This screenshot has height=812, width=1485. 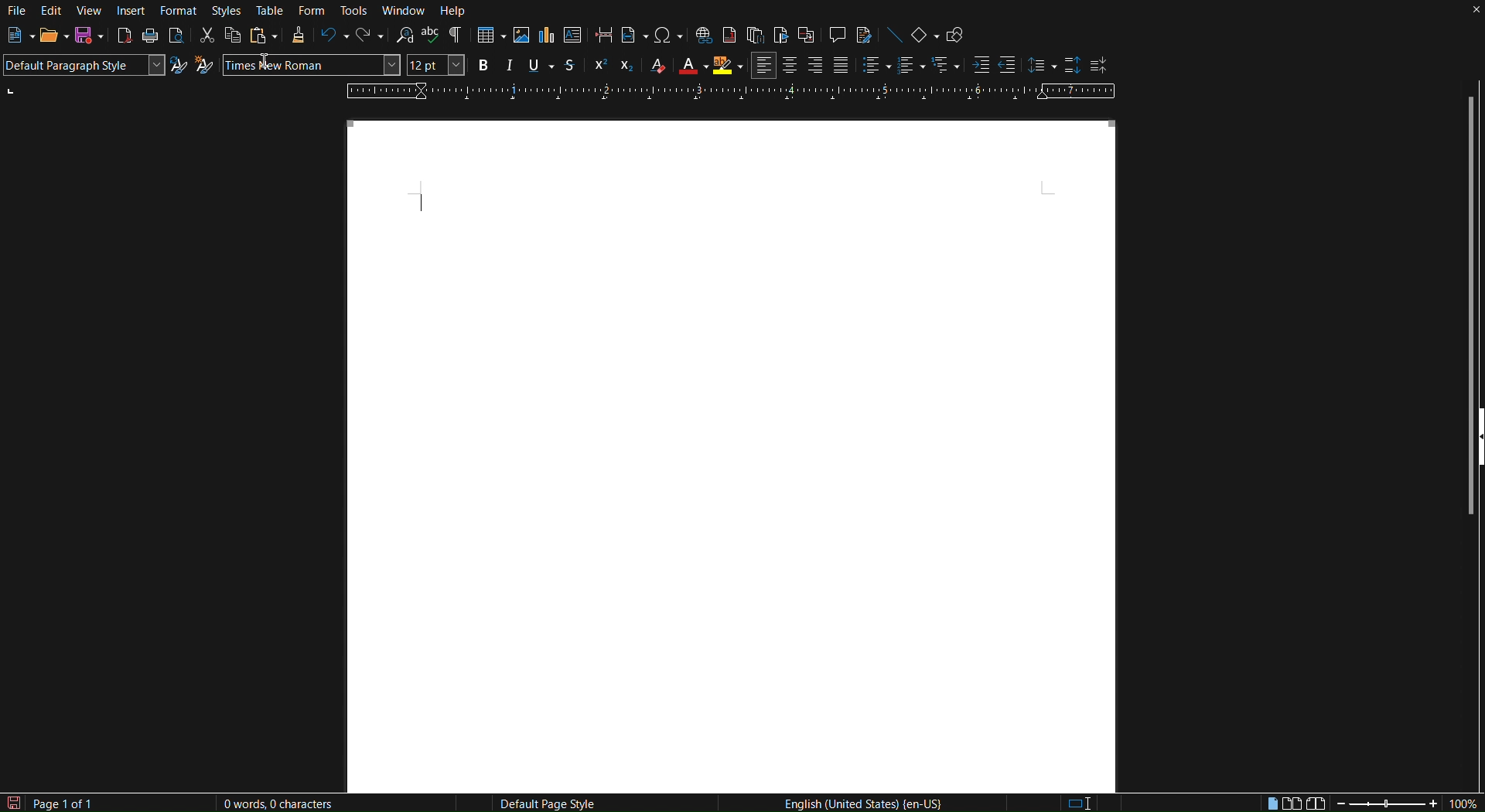 I want to click on Subscript, so click(x=629, y=65).